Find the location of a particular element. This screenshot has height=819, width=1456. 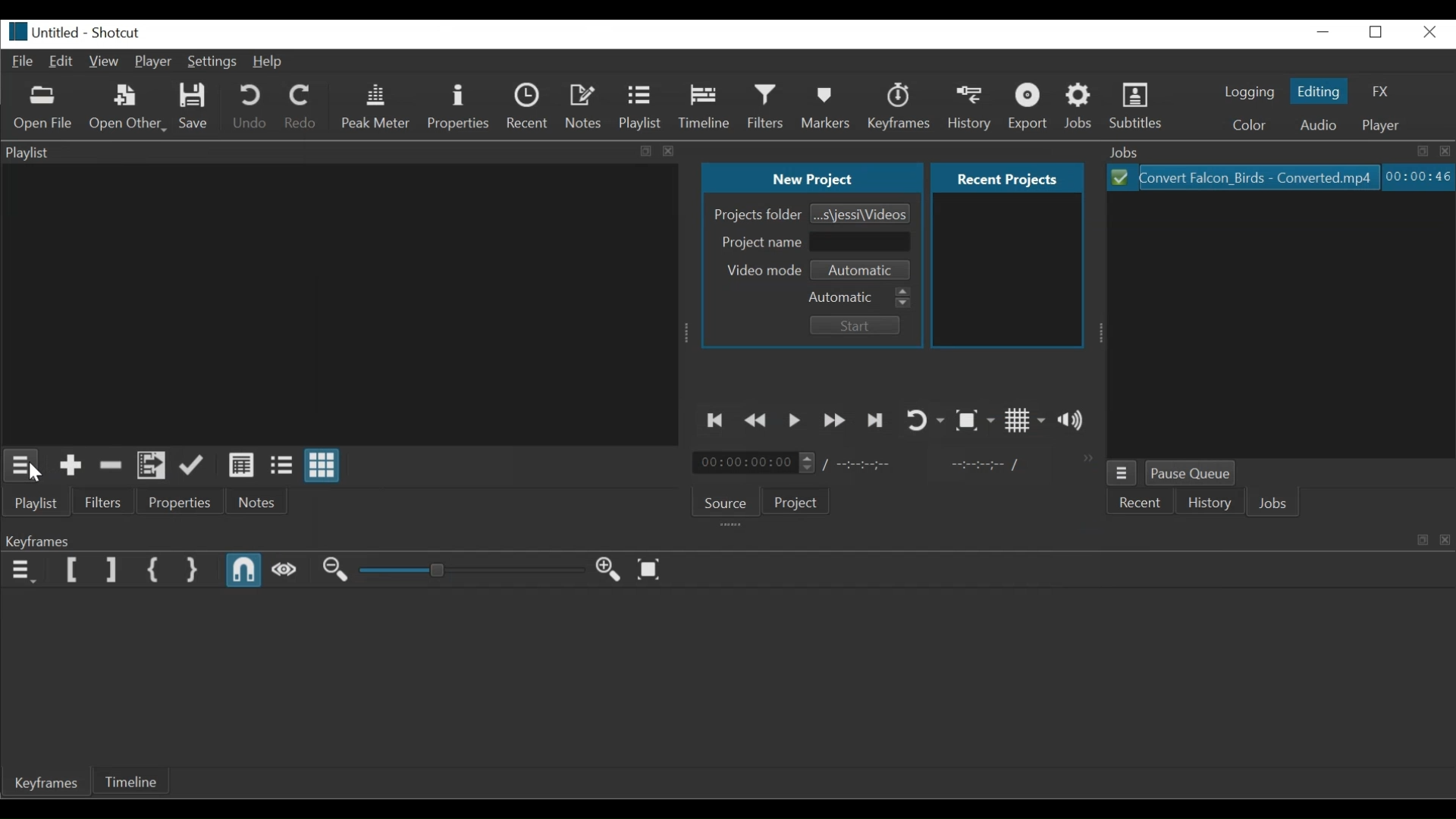

Current position is located at coordinates (755, 463).